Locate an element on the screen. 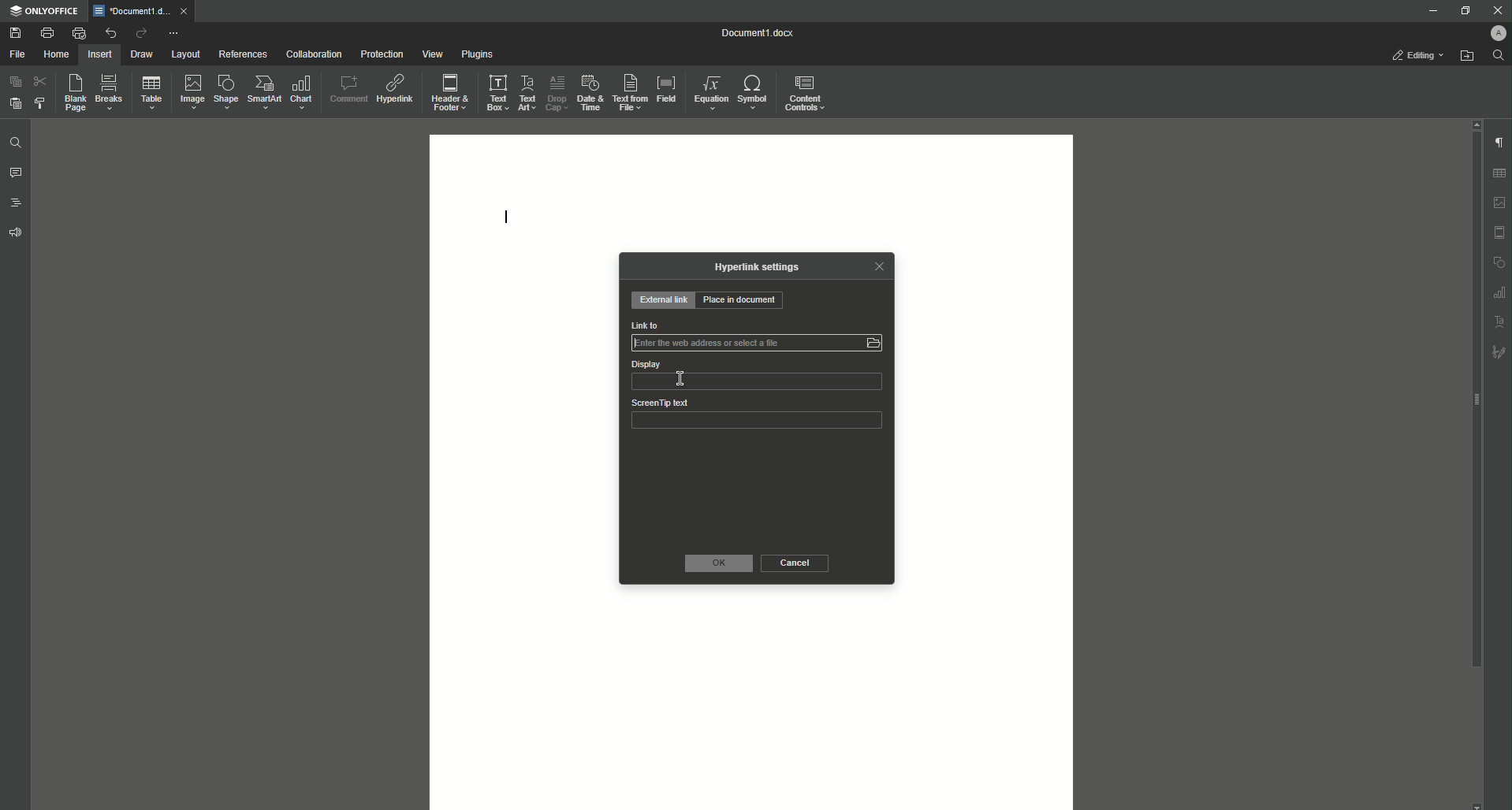  *Document1.docx is located at coordinates (131, 11).